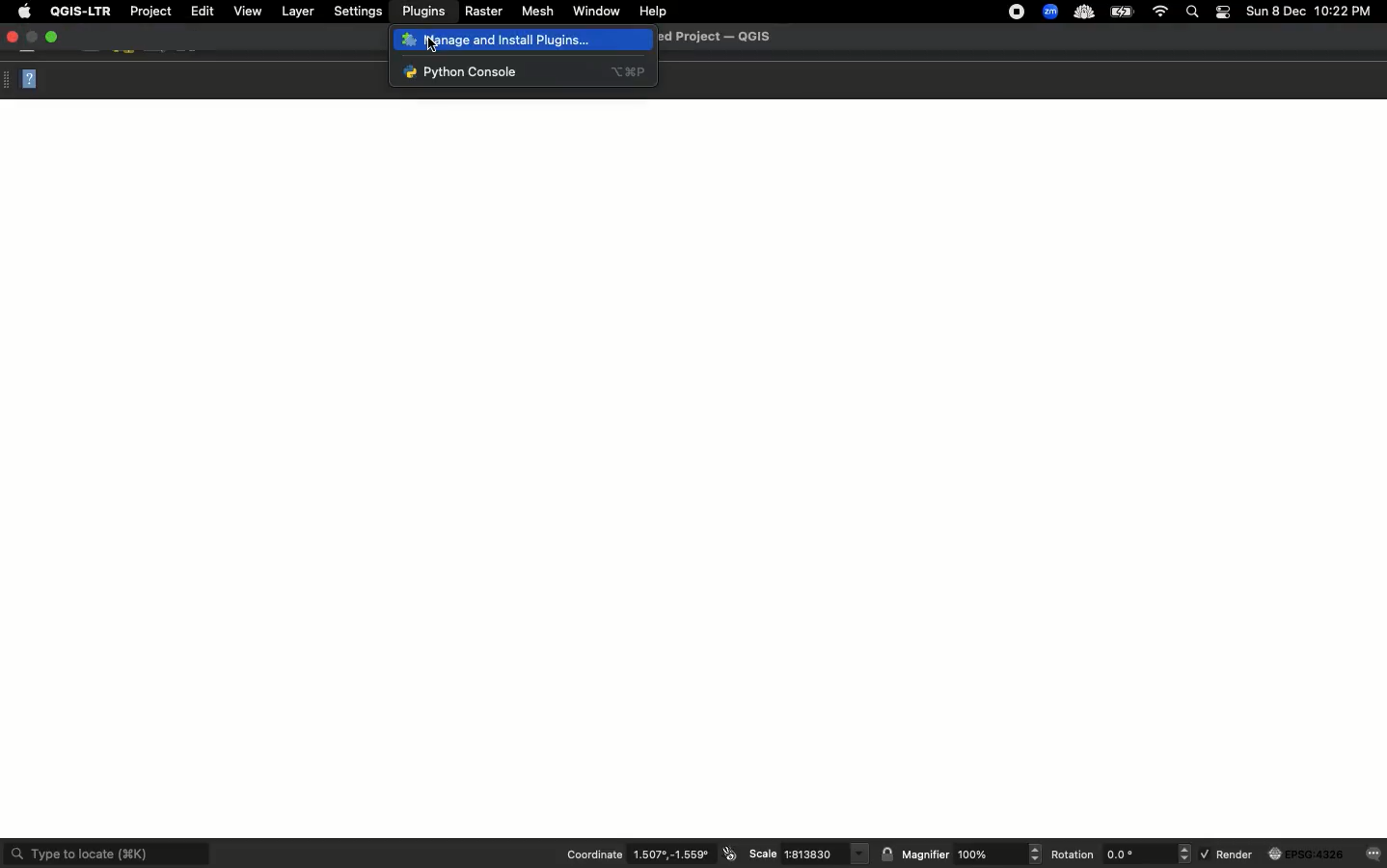  I want to click on Charge, so click(1123, 13).